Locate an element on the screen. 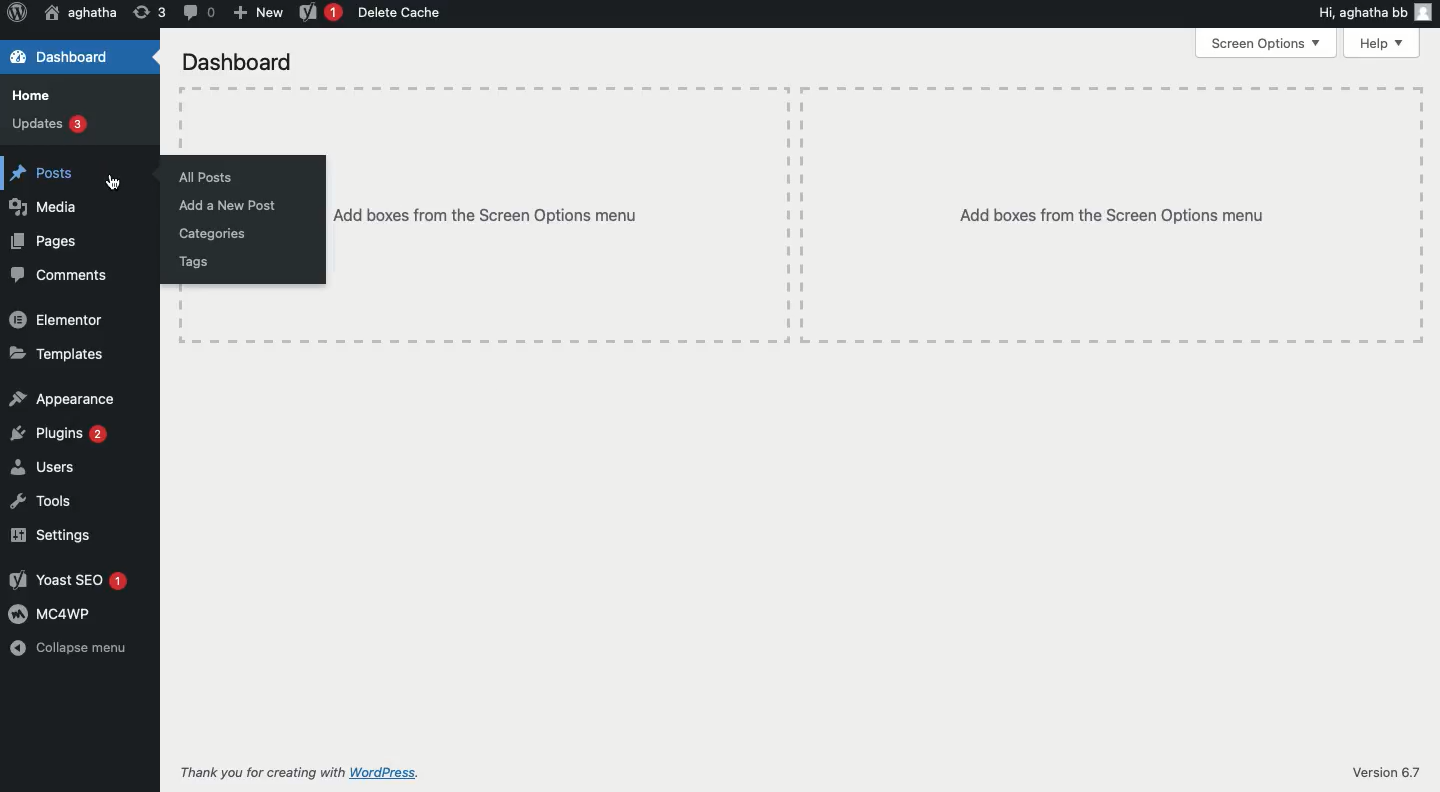  Version 6.7 is located at coordinates (1387, 773).